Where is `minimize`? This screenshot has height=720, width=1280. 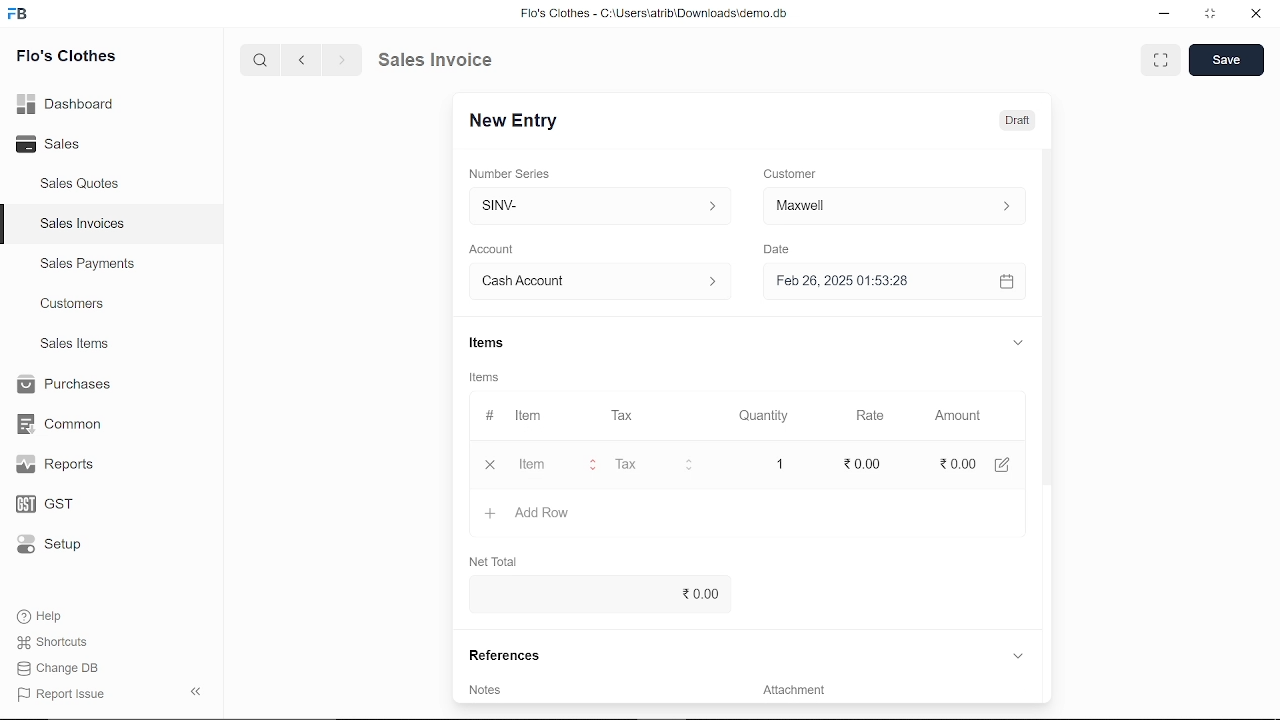
minimize is located at coordinates (1166, 16).